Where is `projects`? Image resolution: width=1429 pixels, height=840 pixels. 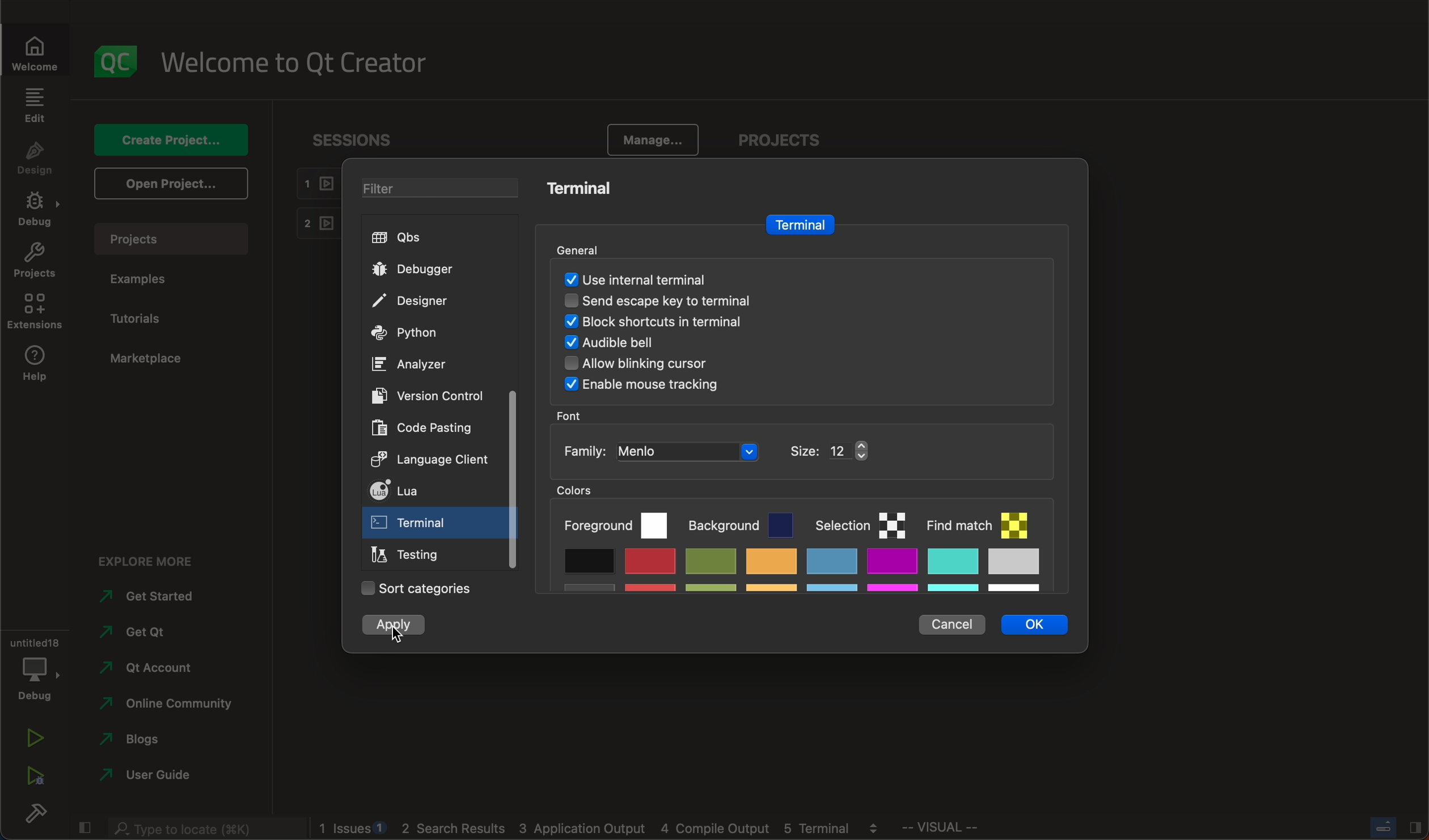
projects is located at coordinates (175, 236).